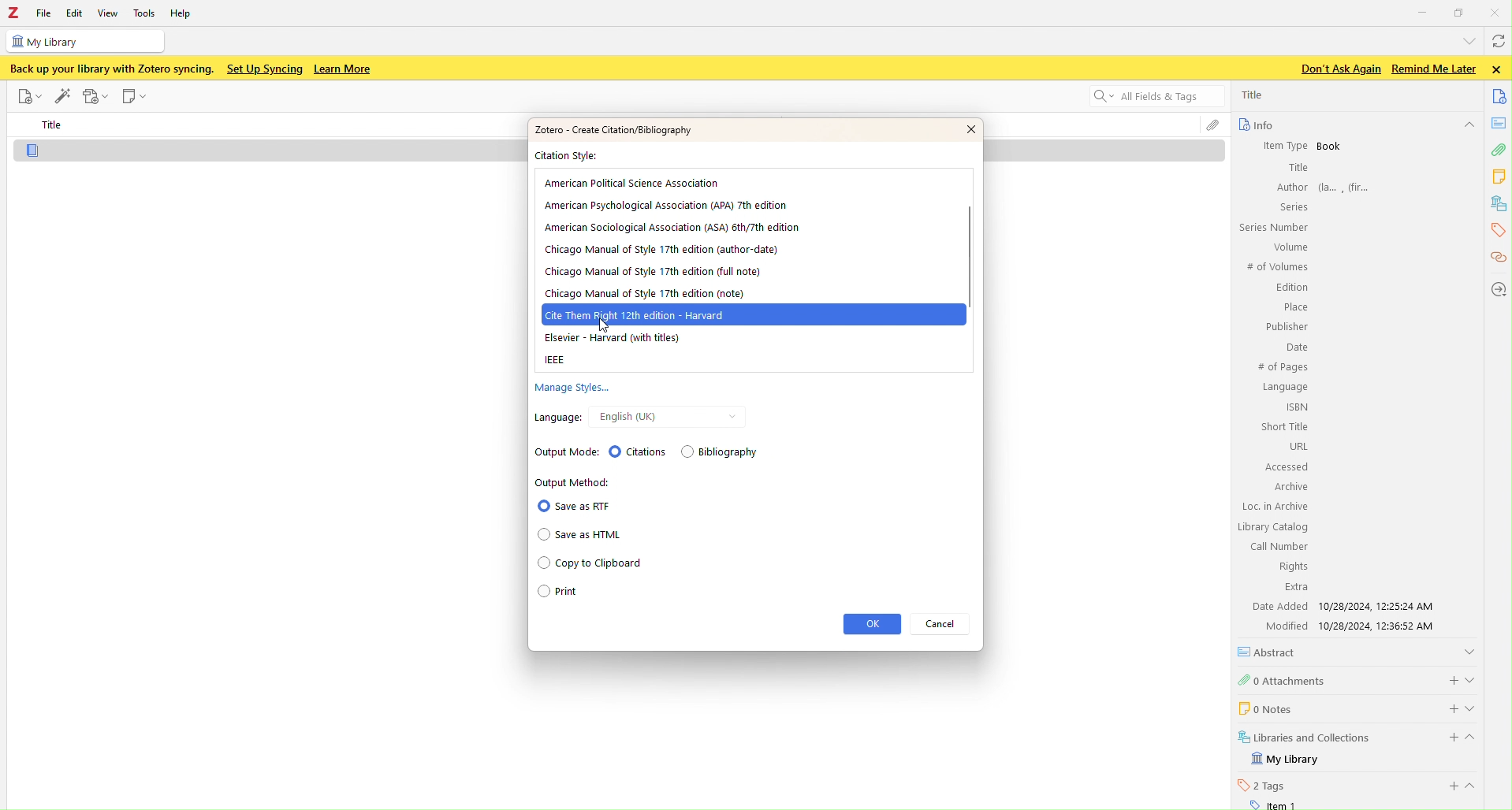  What do you see at coordinates (1147, 98) in the screenshot?
I see `All fields and tags` at bounding box center [1147, 98].